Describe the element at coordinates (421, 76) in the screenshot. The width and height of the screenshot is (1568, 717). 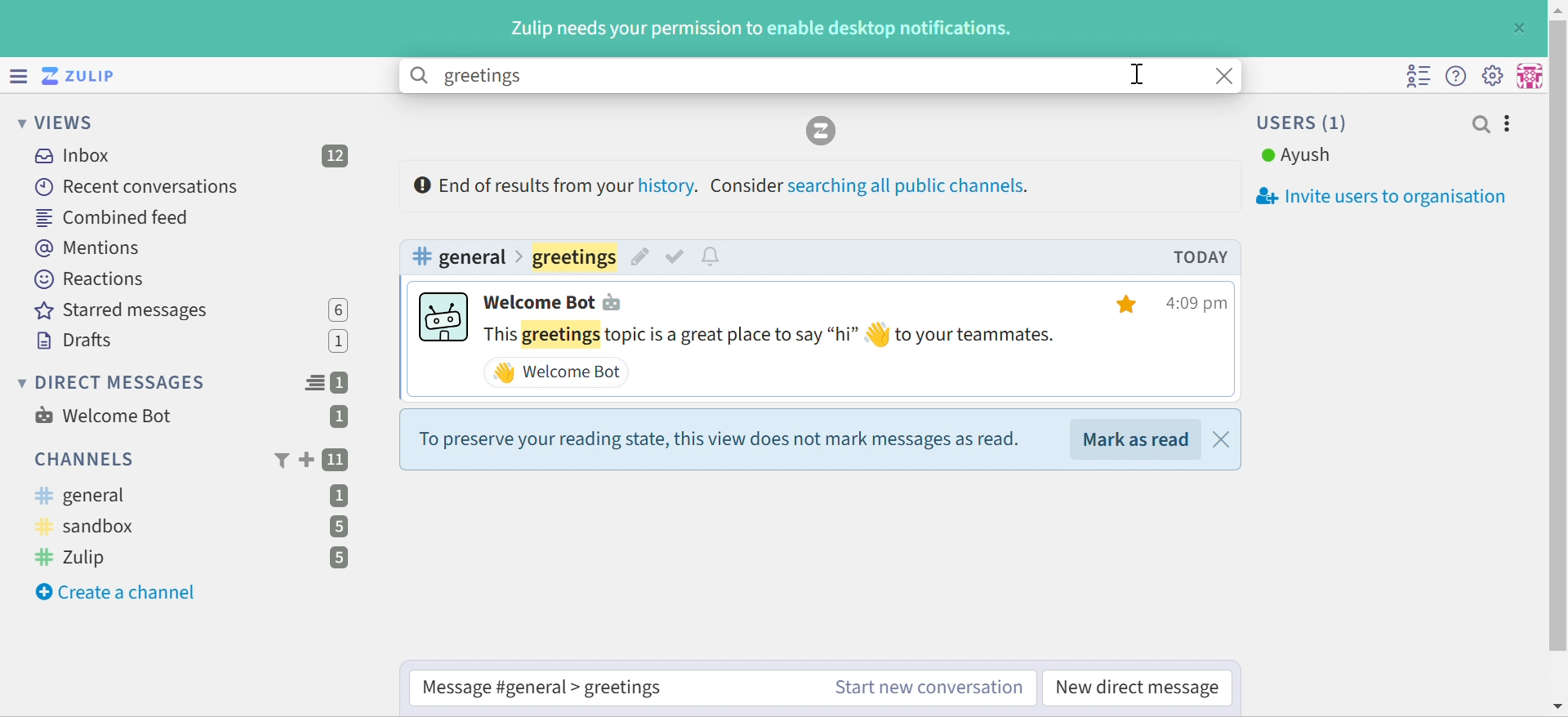
I see `Search icon` at that location.